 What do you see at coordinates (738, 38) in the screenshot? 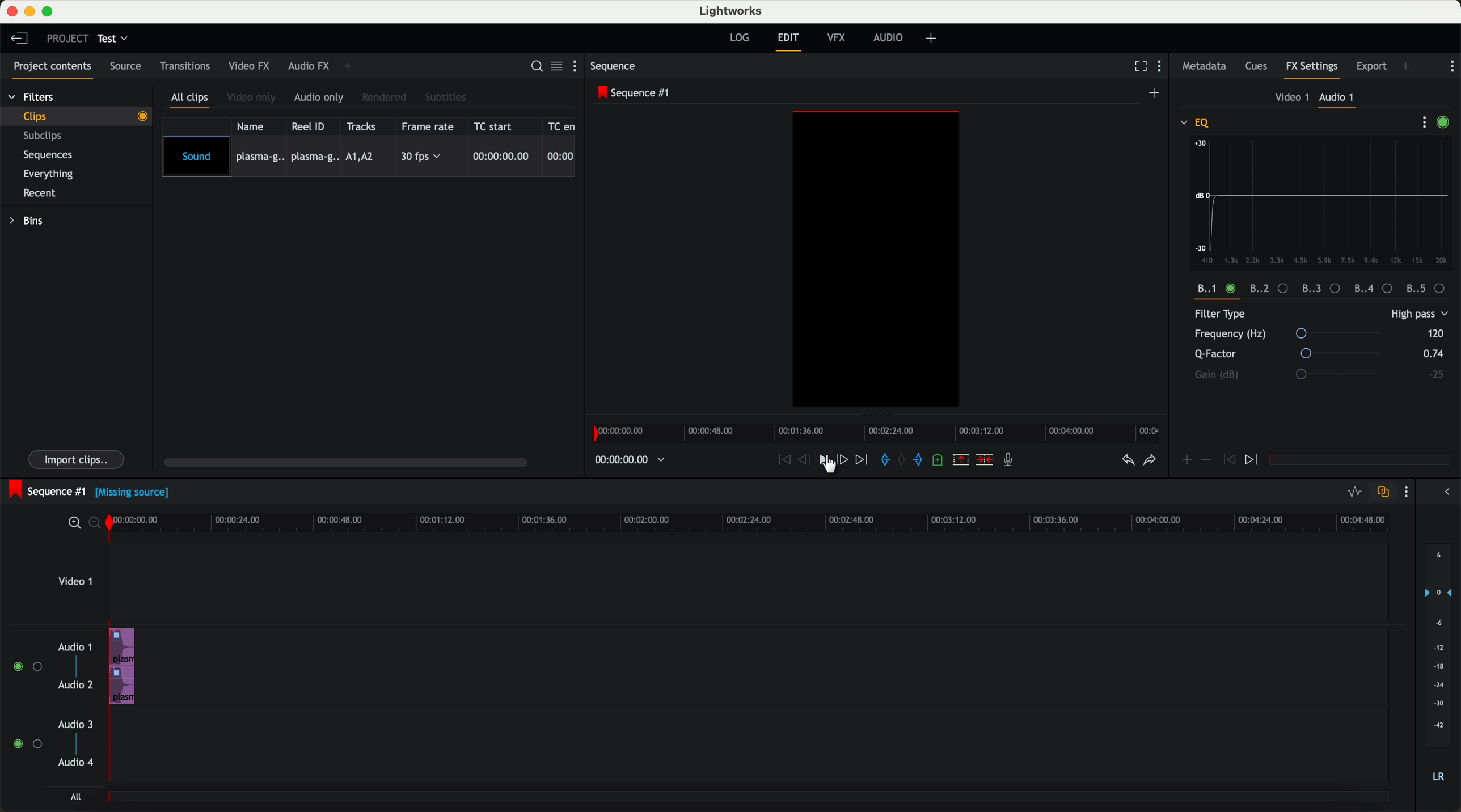
I see `log` at bounding box center [738, 38].